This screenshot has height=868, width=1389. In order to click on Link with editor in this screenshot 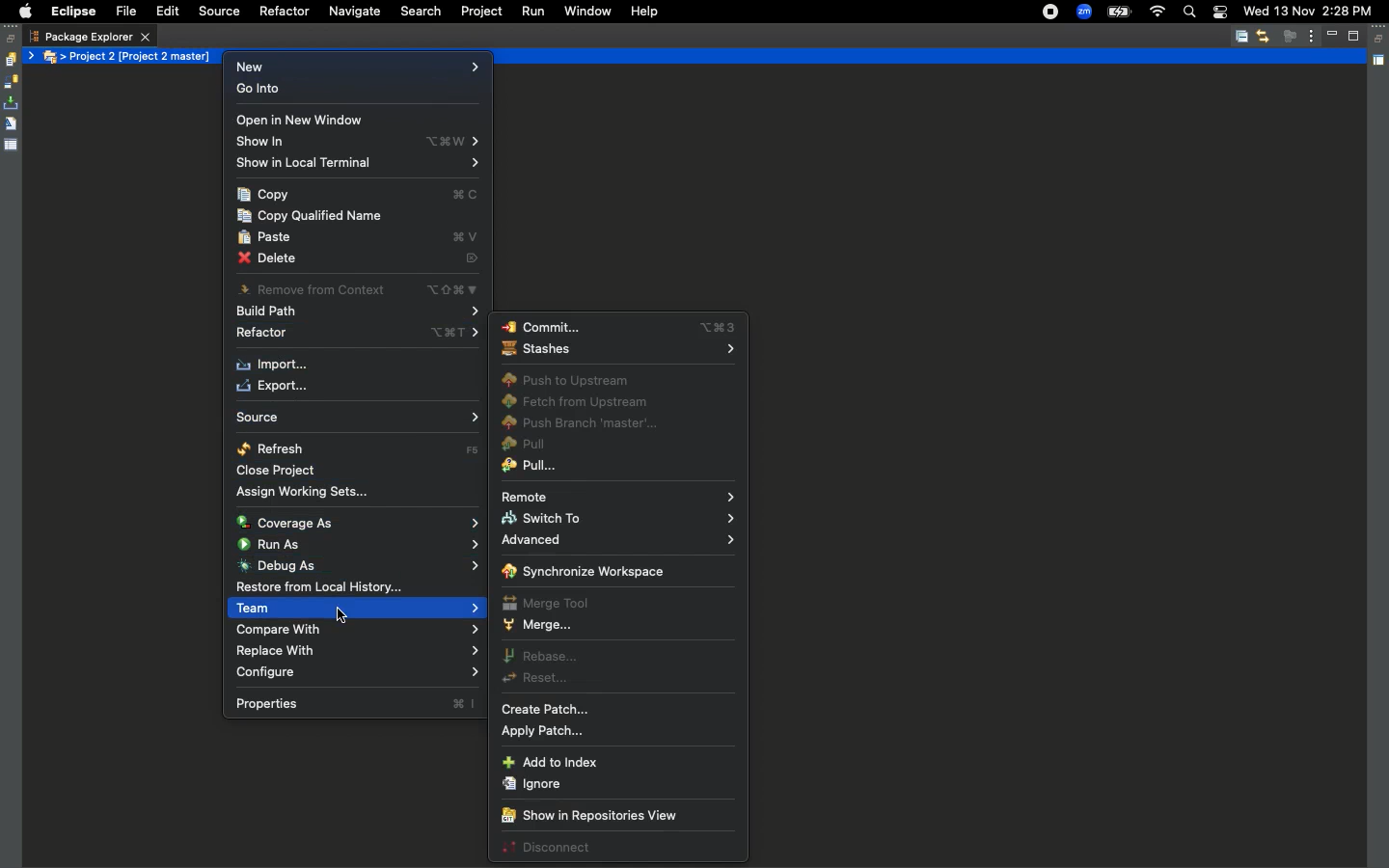, I will do `click(1263, 36)`.